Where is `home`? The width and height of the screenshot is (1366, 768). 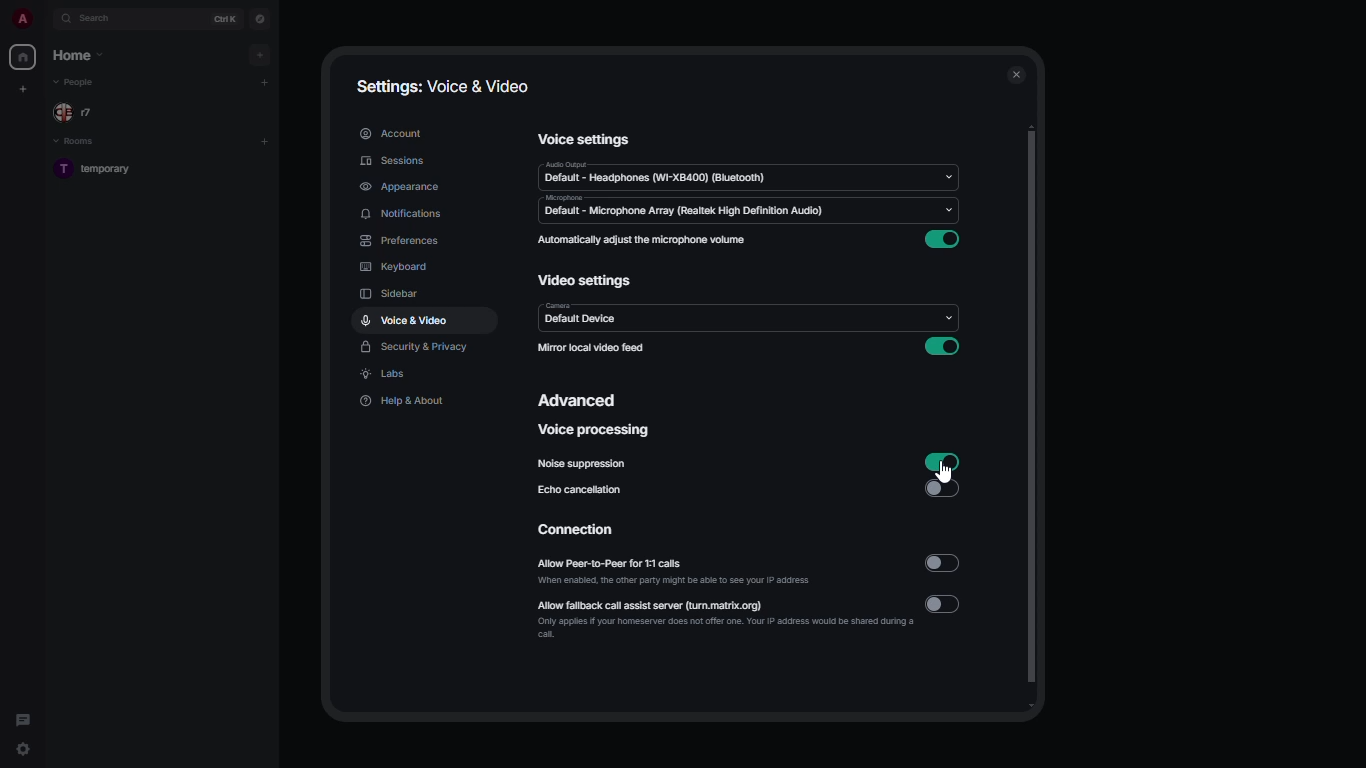 home is located at coordinates (24, 58).